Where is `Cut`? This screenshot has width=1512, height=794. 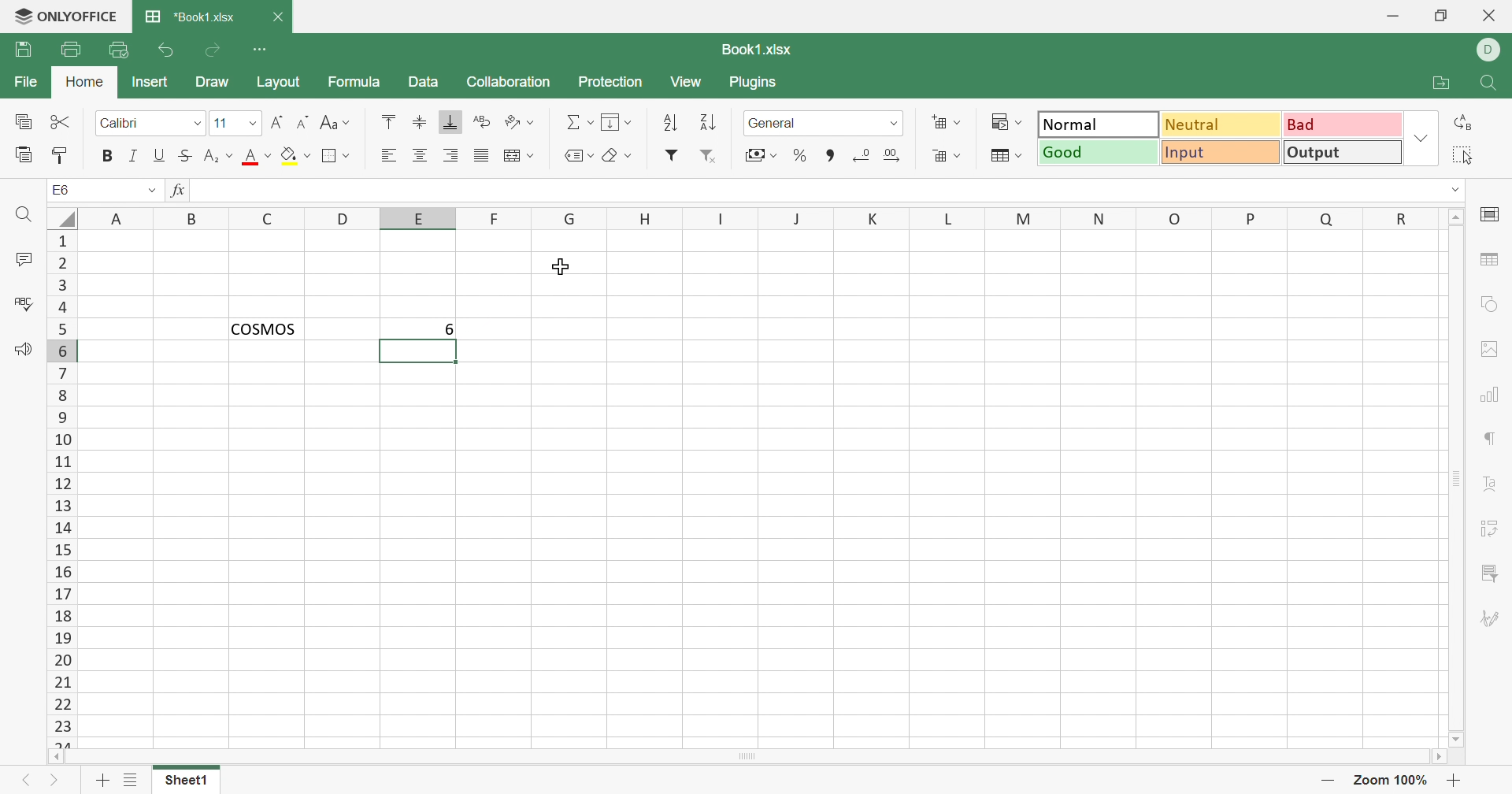
Cut is located at coordinates (62, 122).